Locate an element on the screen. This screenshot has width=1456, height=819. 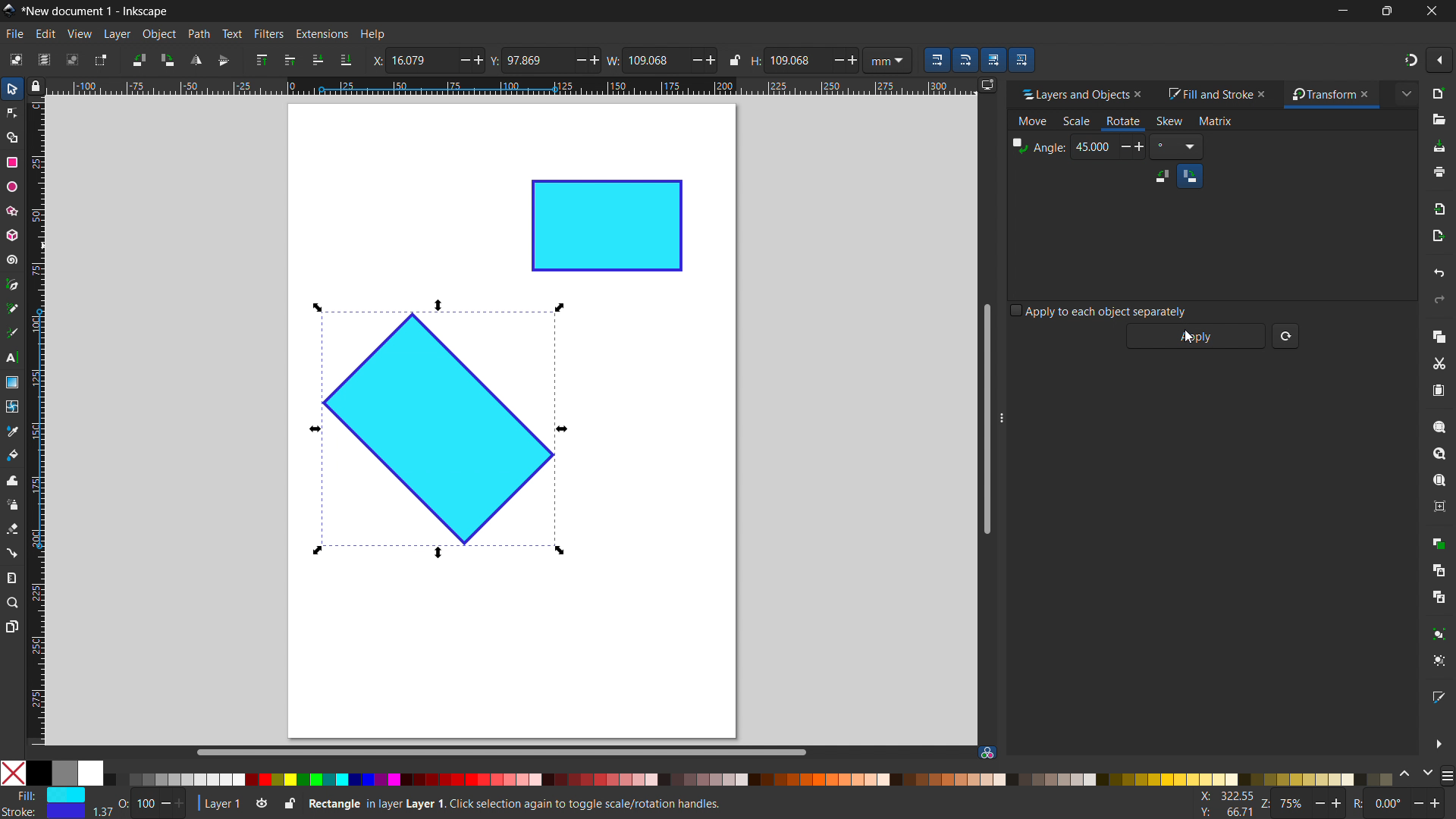
close is located at coordinates (1144, 94).